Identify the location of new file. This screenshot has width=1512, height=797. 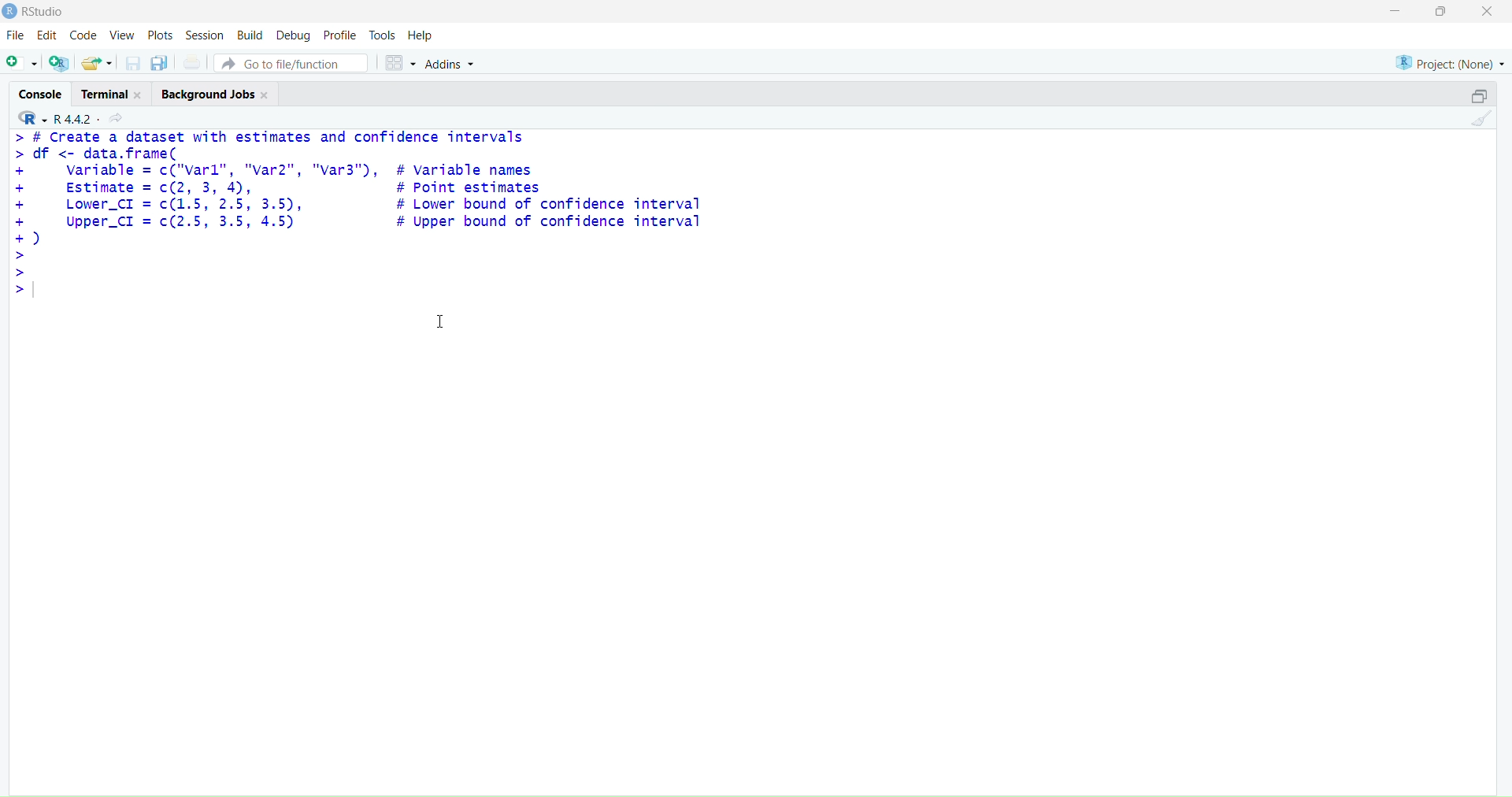
(22, 61).